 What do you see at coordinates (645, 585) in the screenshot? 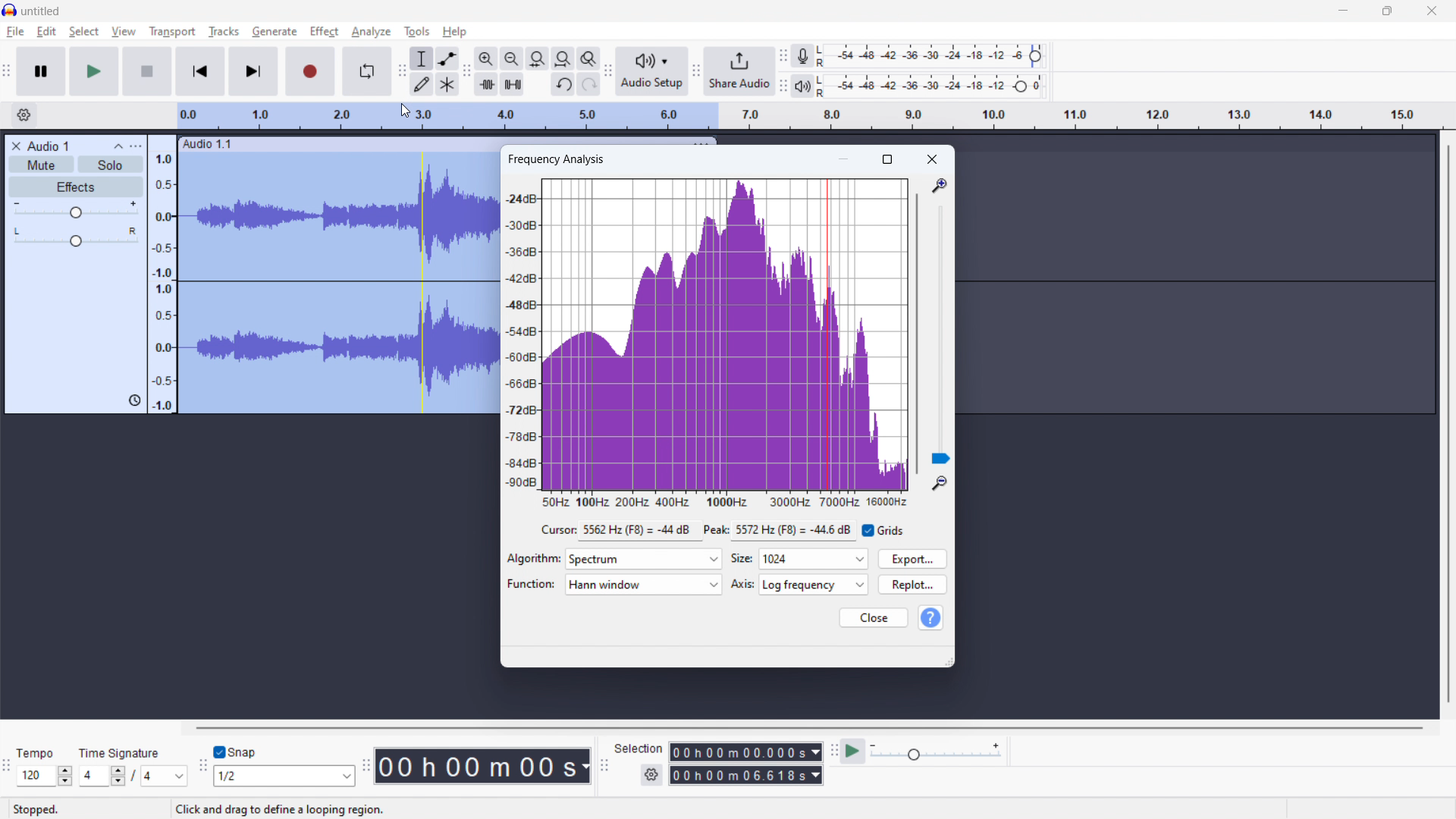
I see `set function` at bounding box center [645, 585].